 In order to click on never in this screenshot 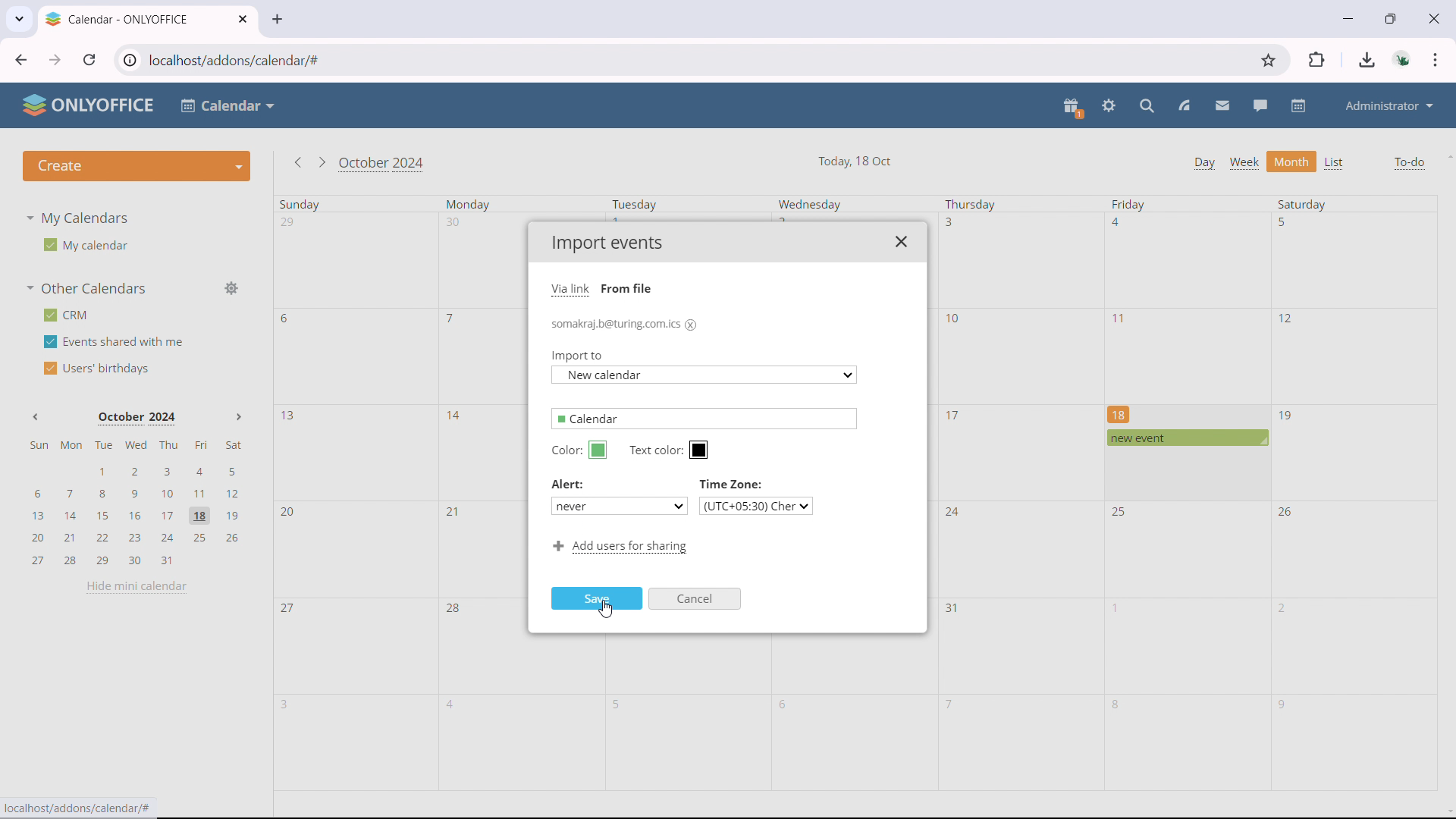, I will do `click(618, 507)`.